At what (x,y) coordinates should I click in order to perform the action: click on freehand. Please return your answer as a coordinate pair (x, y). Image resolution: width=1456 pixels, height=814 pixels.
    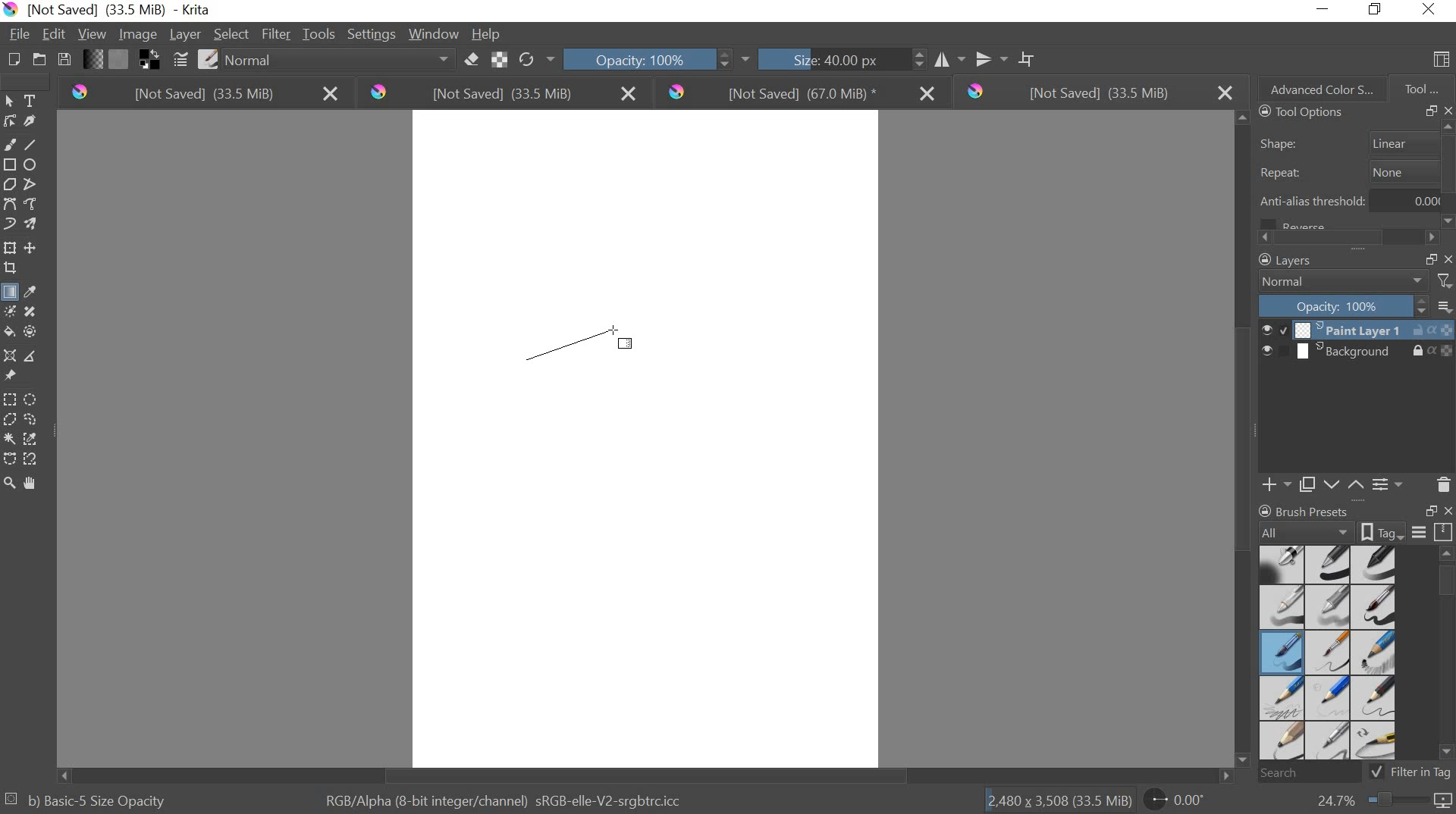
    Looking at the image, I should click on (9, 145).